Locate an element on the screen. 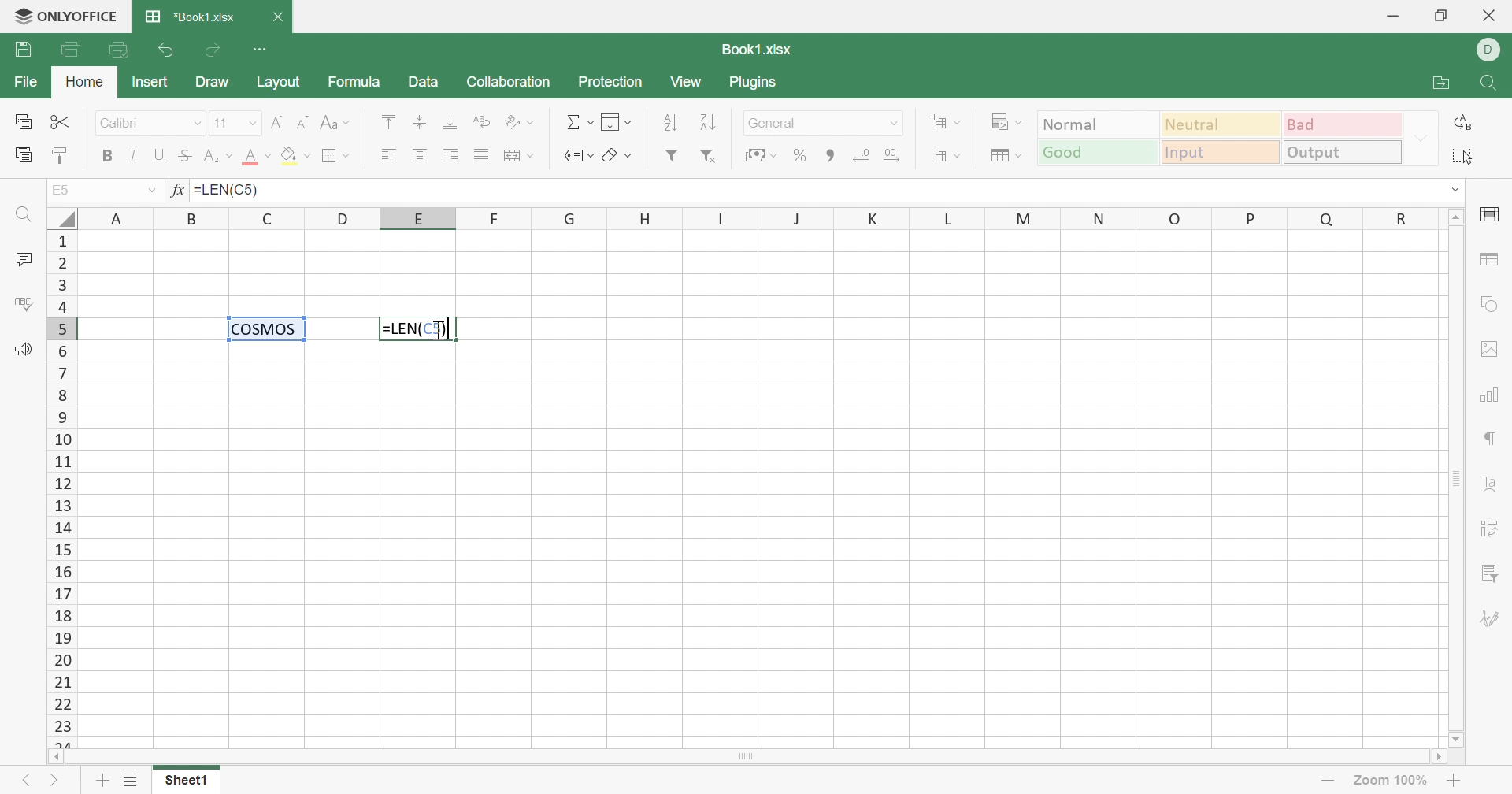 This screenshot has height=794, width=1512. Scroll up is located at coordinates (1456, 216).